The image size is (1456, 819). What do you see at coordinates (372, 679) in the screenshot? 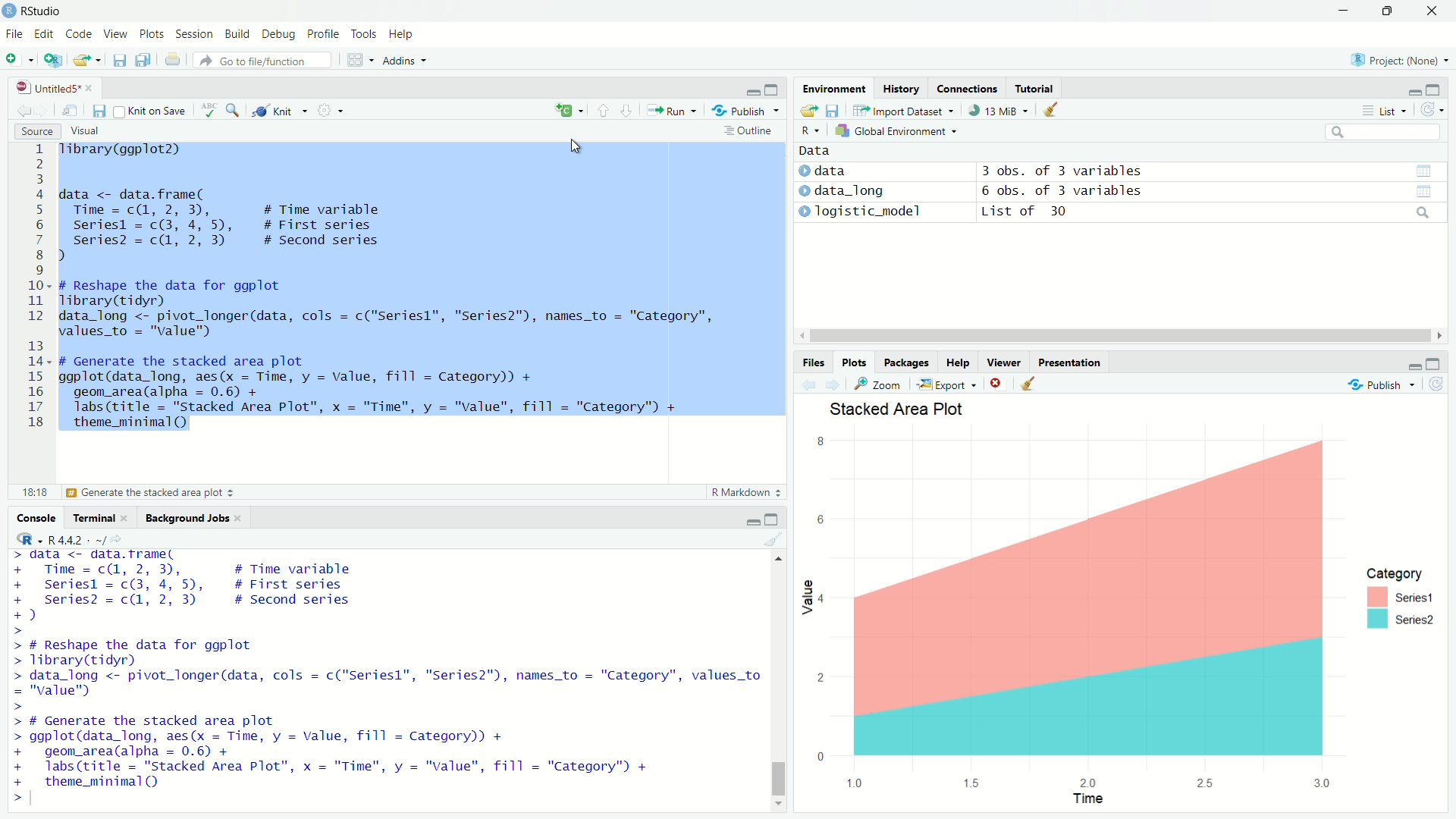
I see `>

>

> # Fit logistic regression model

> logistic_model <- gIm(Y ~ X, data = data, family = binomial)

warning message:

glm. fit: fitted probabilities numerically 0 or 1 occurred

>

> # Generate the logistic regression curve

> ggplot(data, aes(x = X, y = Y)) +

+ geom_point(size = 3, color = "blue") +

+ geom_smooth(method = "gIm", method.args = list(family = "binomial"), color = "red") +
+ labs(title = "Logistic Regression Curve", x = "Predictor (X)", y = "Outcome (Y)") +
+ theme_minimal()

“geom_smooth()" using formula = 'y ~ x'

warning message:

glm.fit: fitted probabilities numerically 0 or 1 occurred

< |` at bounding box center [372, 679].